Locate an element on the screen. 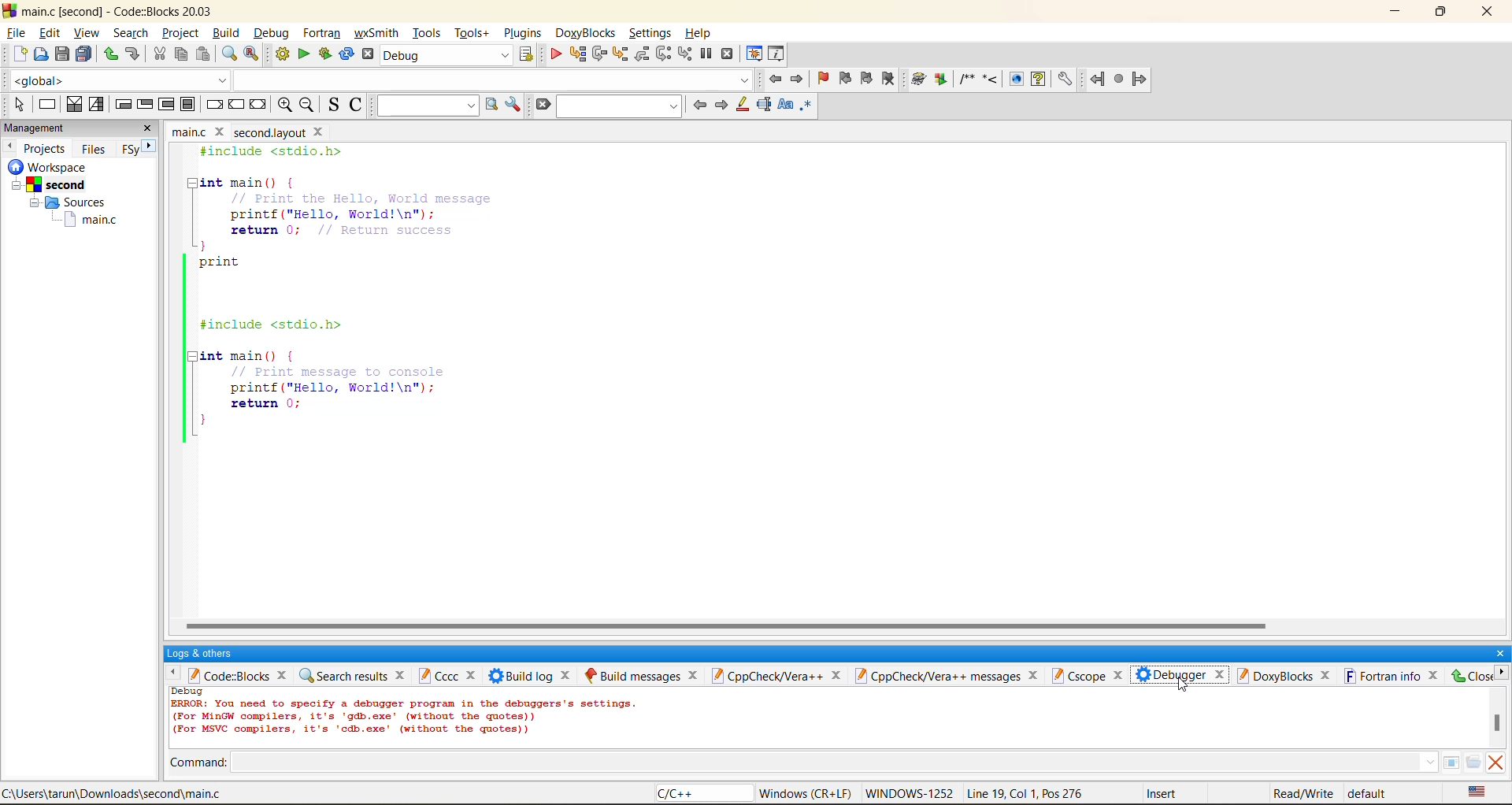 This screenshot has width=1512, height=805. command is located at coordinates (202, 760).